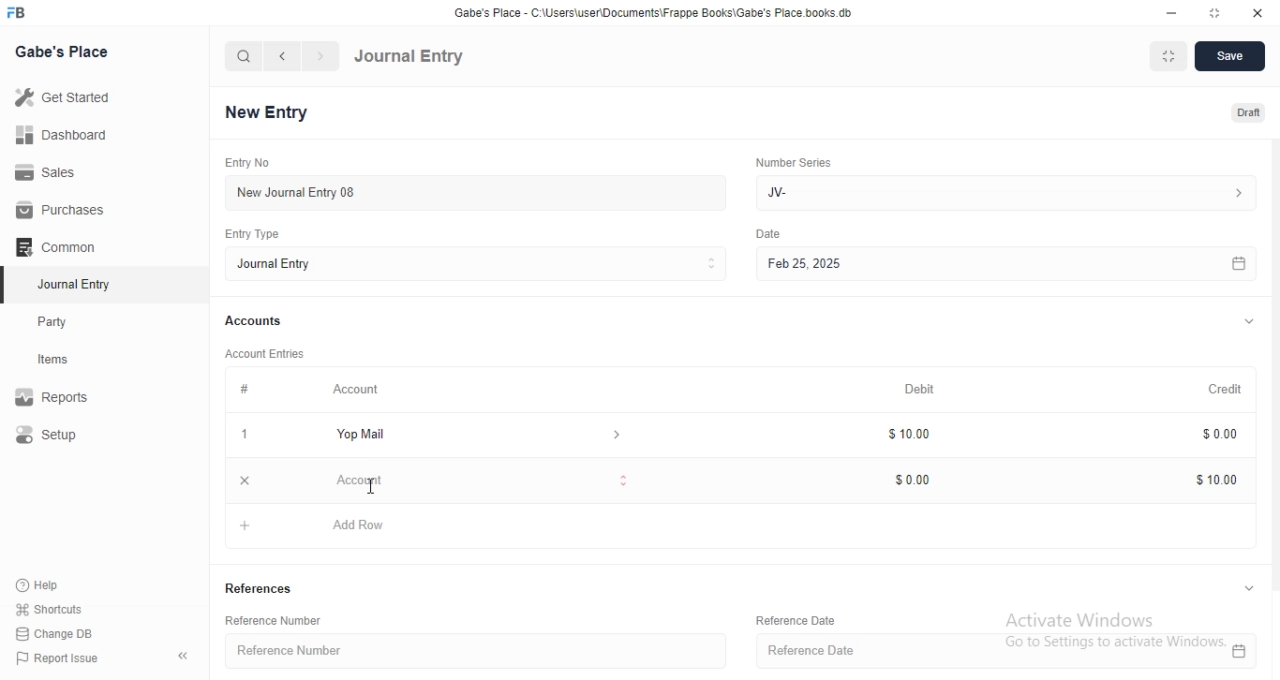 The image size is (1280, 680). What do you see at coordinates (793, 164) in the screenshot?
I see `Number Series` at bounding box center [793, 164].